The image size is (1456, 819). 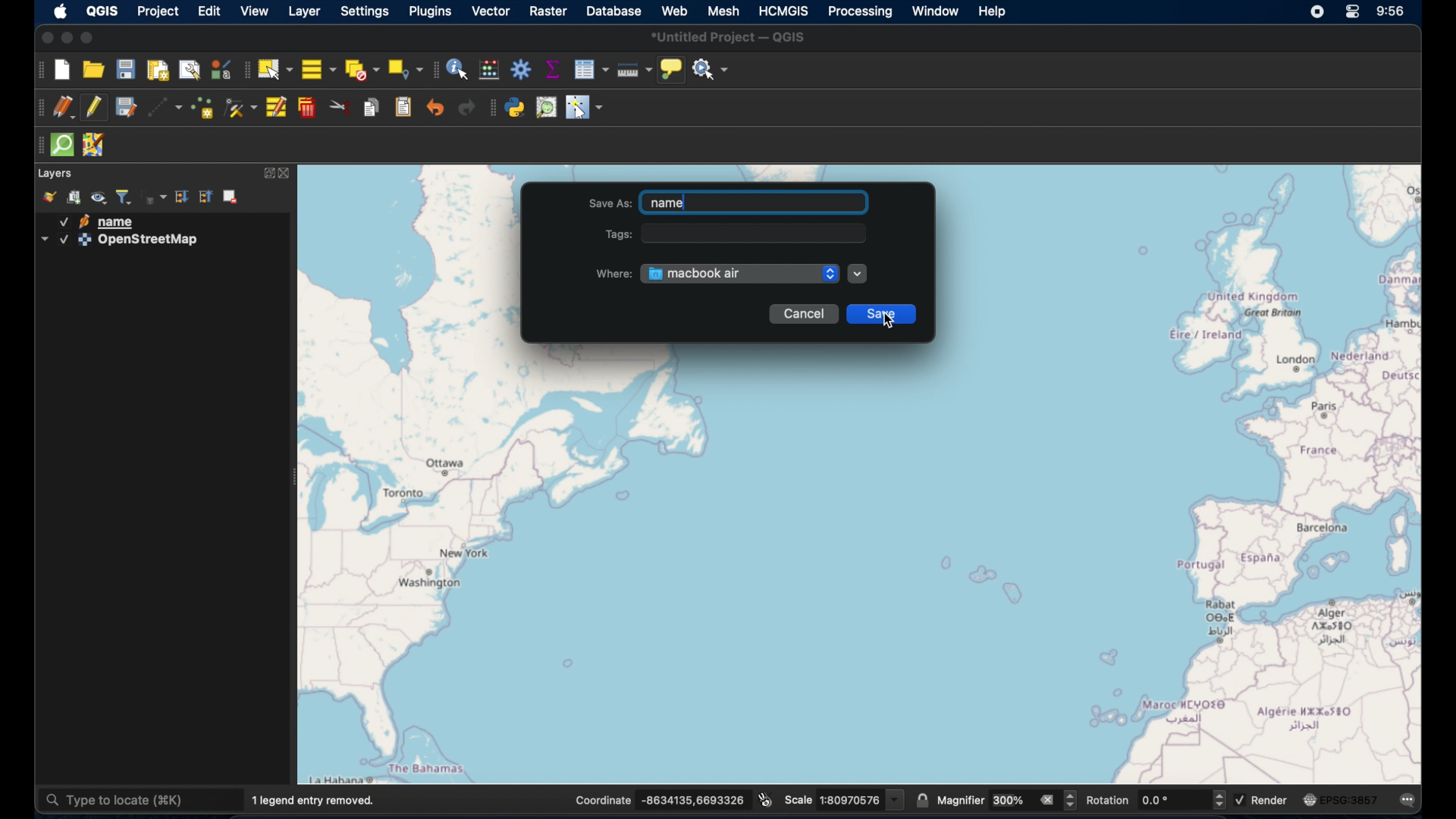 I want to click on cursor, so click(x=891, y=321).